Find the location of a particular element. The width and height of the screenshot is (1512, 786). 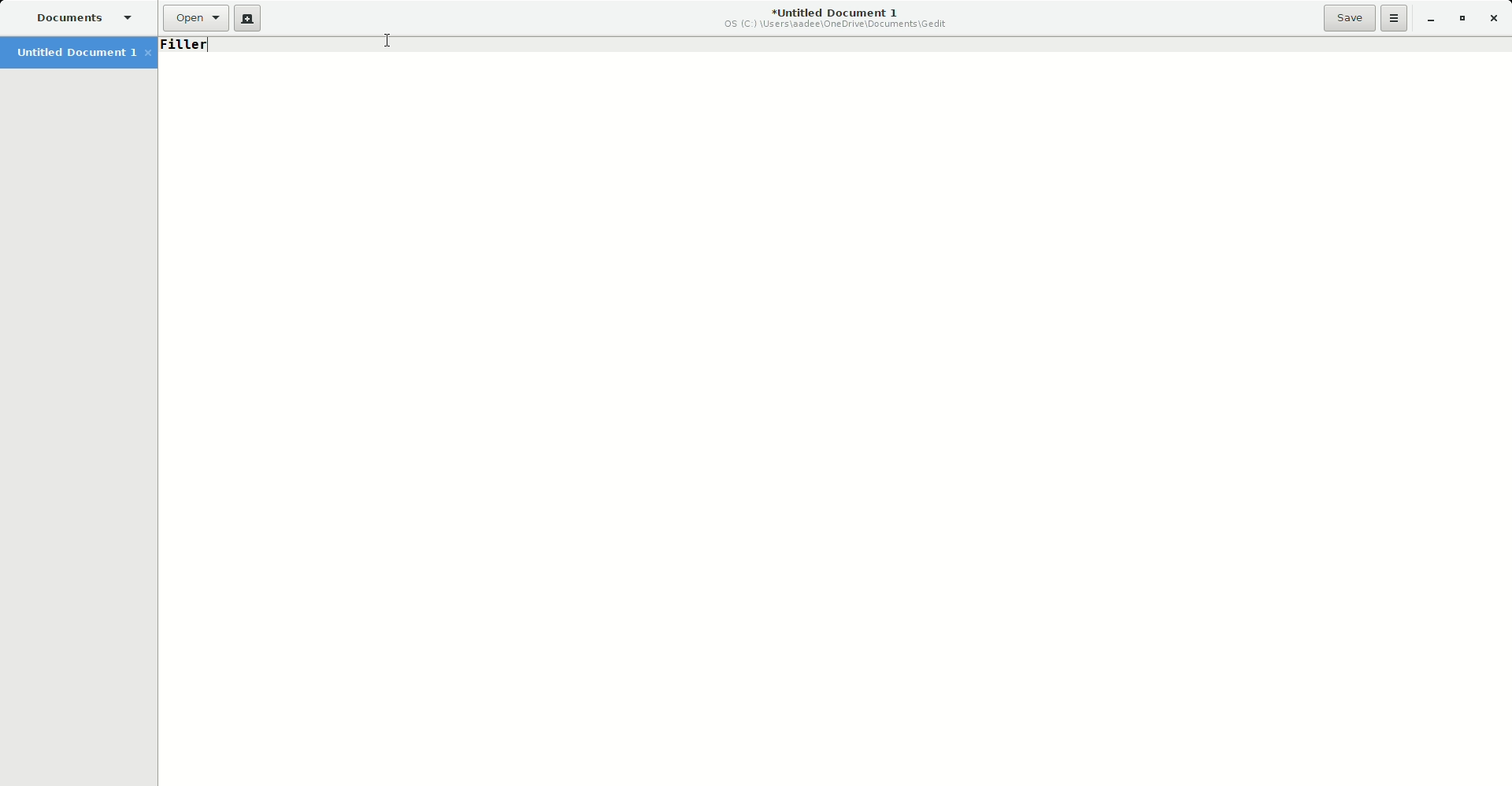

Restore is located at coordinates (1462, 19).